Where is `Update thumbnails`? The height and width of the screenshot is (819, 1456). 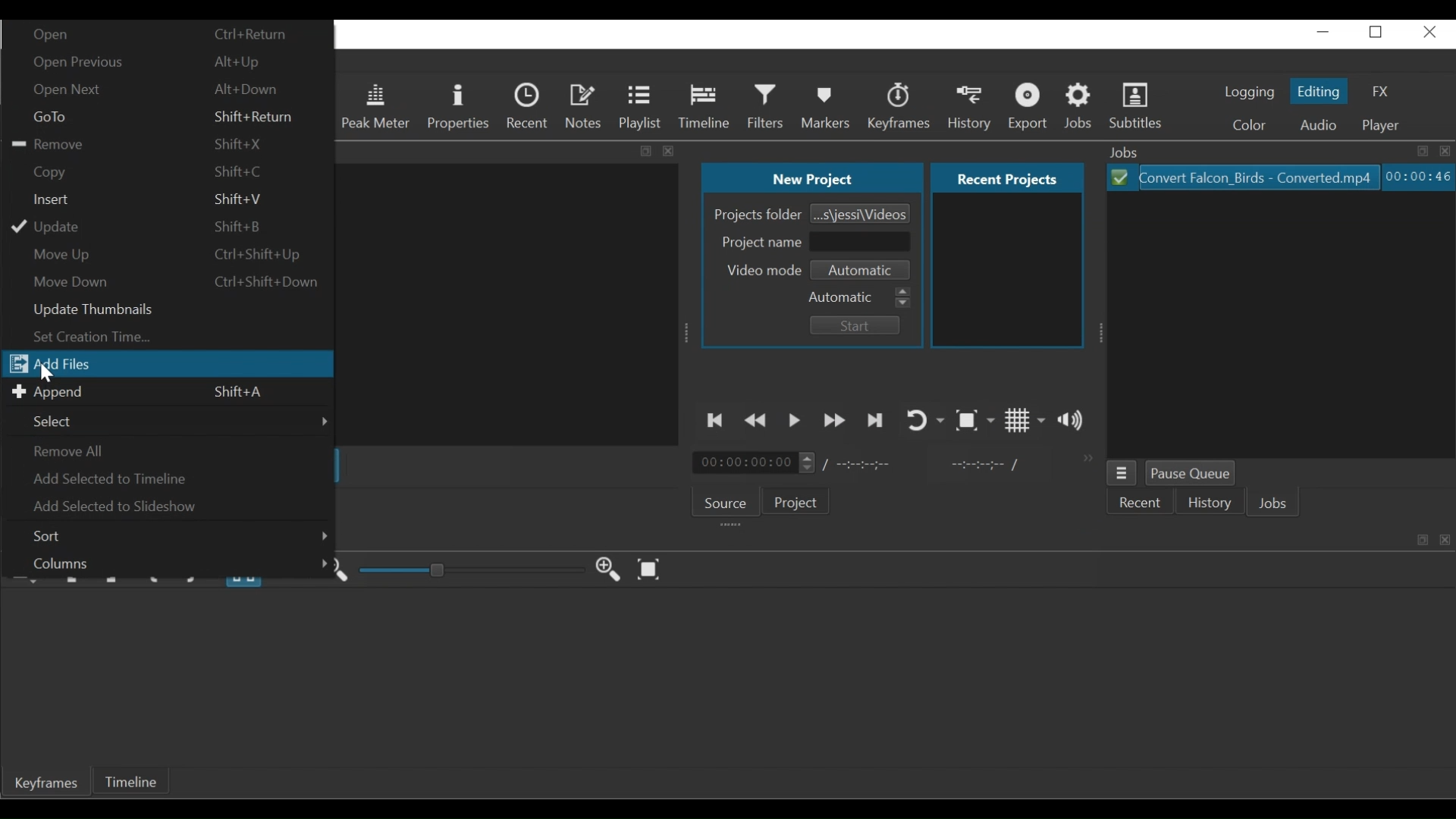
Update thumbnails is located at coordinates (172, 309).